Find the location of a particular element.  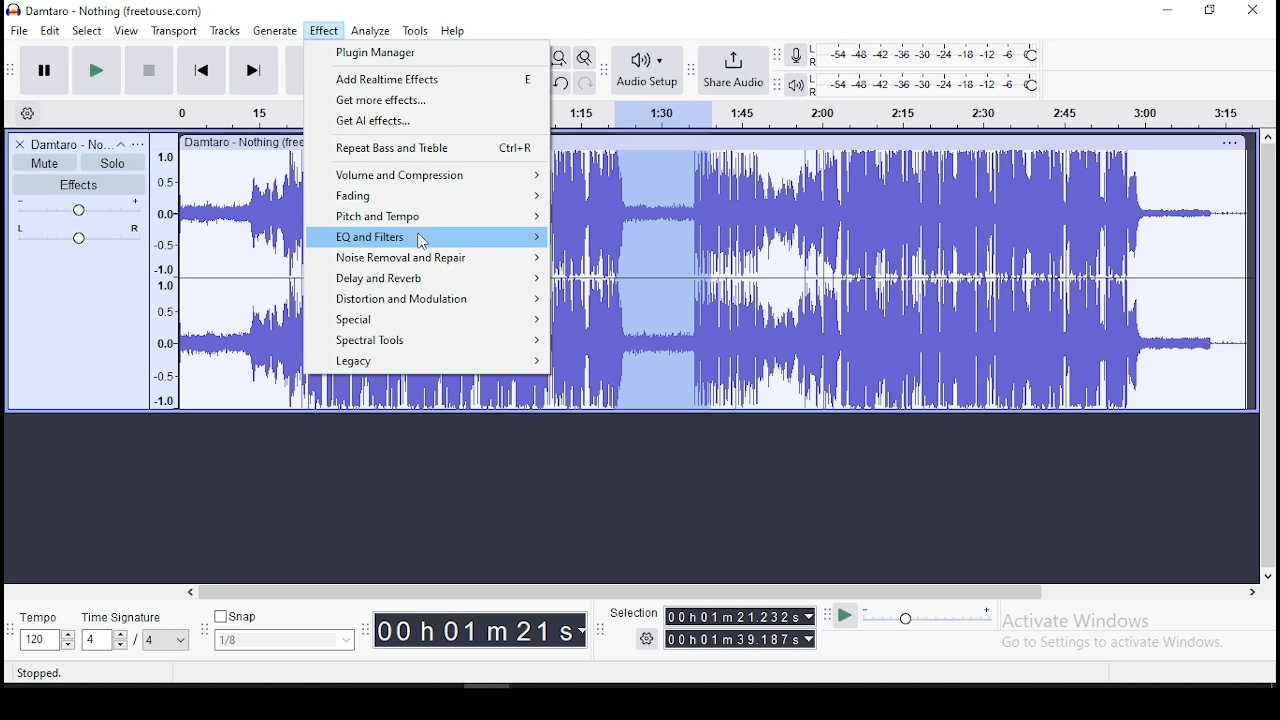

playback speed is located at coordinates (929, 615).